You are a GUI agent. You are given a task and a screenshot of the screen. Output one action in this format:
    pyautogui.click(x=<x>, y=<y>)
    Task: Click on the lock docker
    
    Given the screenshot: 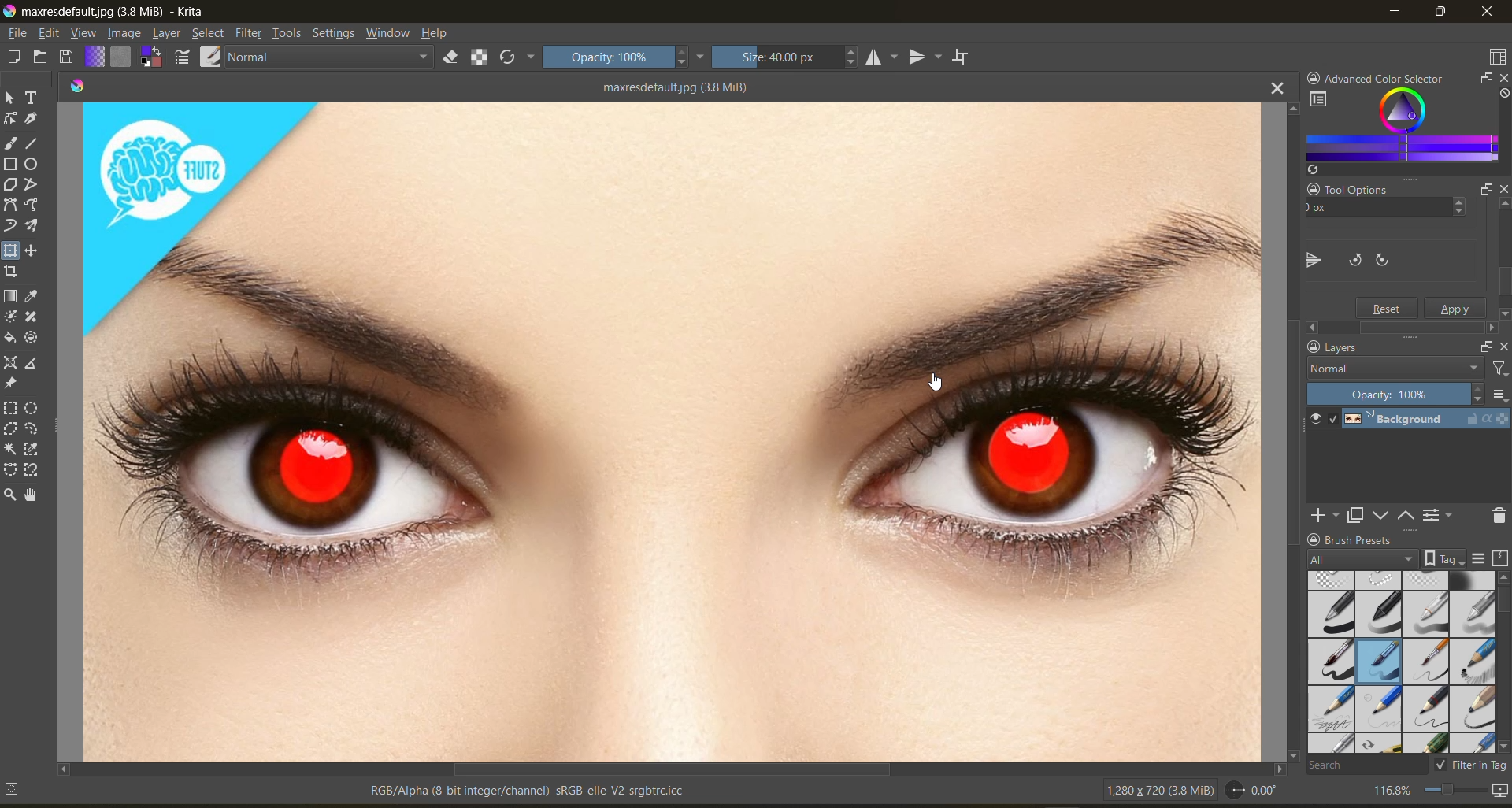 What is the action you would take?
    pyautogui.click(x=1312, y=347)
    